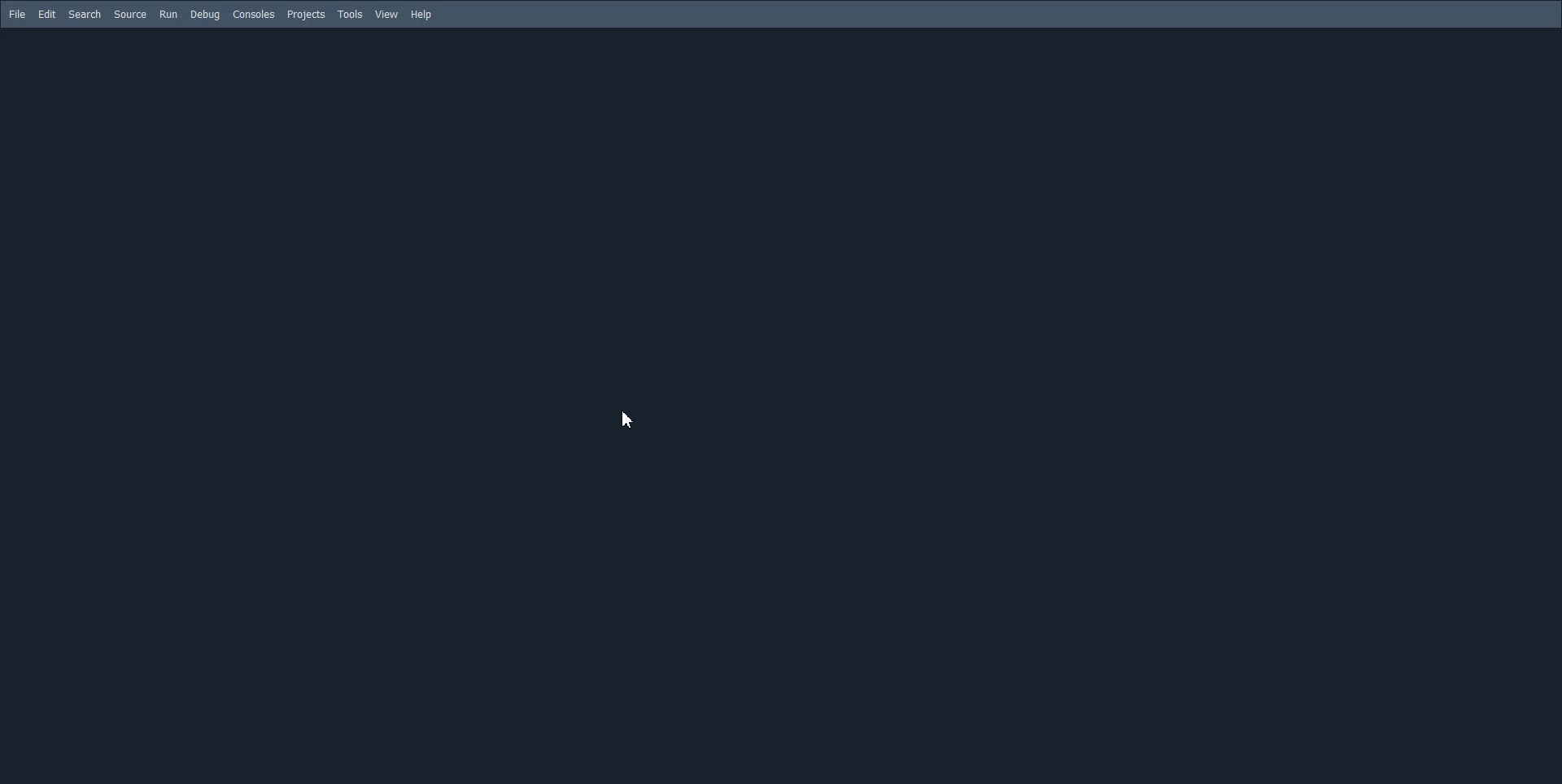  Describe the element at coordinates (626, 421) in the screenshot. I see `Cursor` at that location.